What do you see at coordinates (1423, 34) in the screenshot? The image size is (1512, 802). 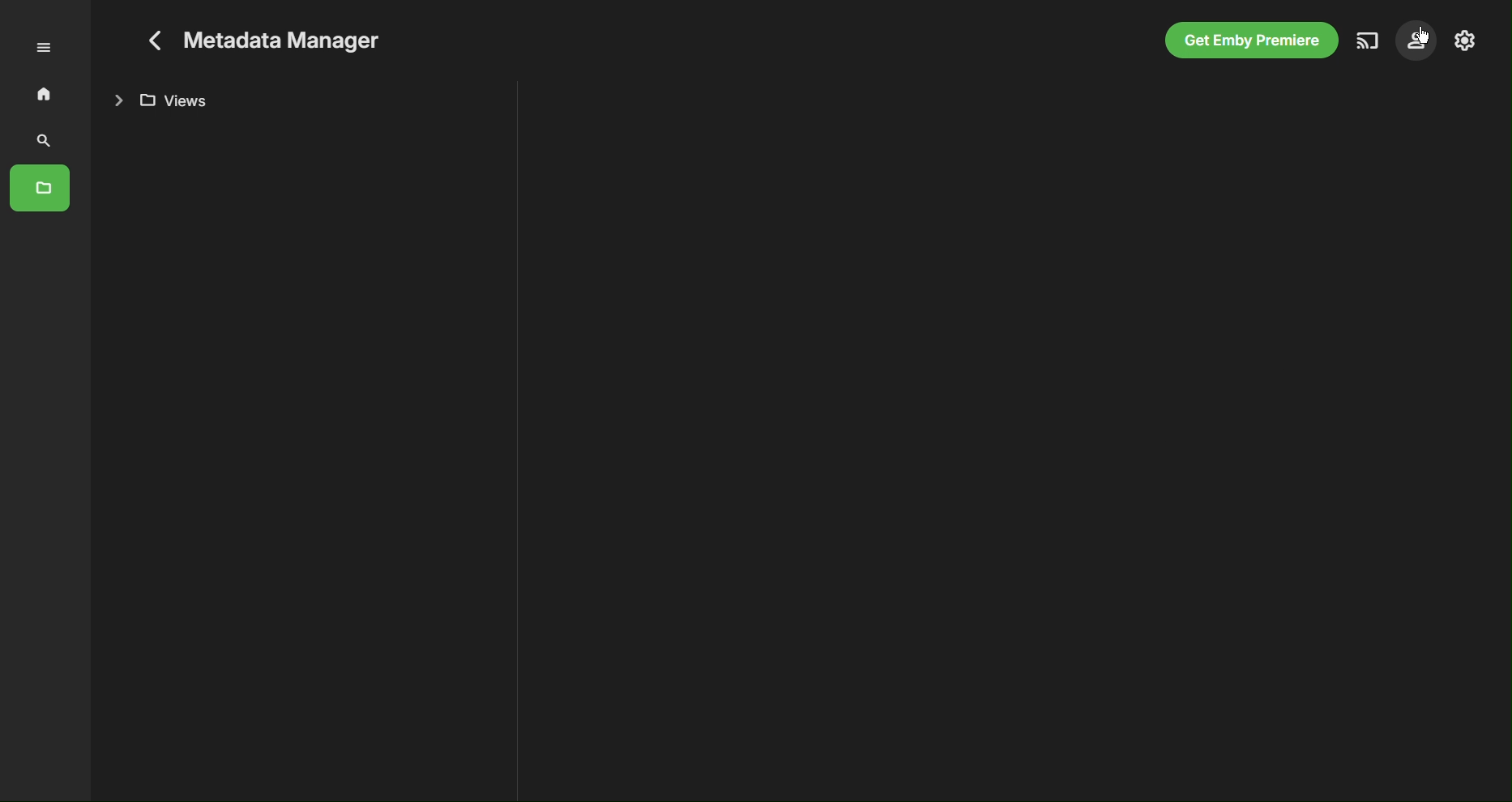 I see `Cursor` at bounding box center [1423, 34].